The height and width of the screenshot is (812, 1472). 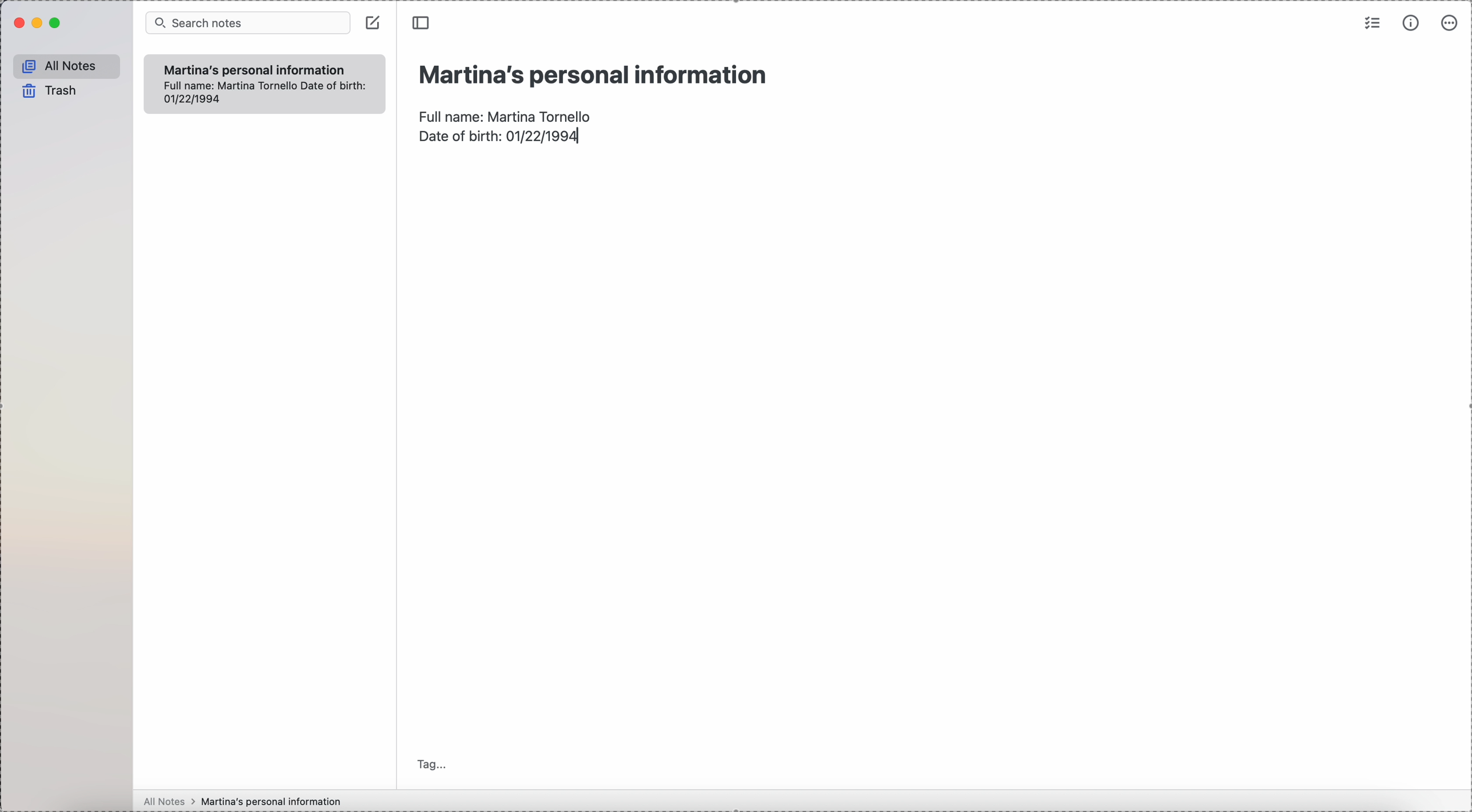 What do you see at coordinates (39, 23) in the screenshot?
I see `minimize Simplenote` at bounding box center [39, 23].